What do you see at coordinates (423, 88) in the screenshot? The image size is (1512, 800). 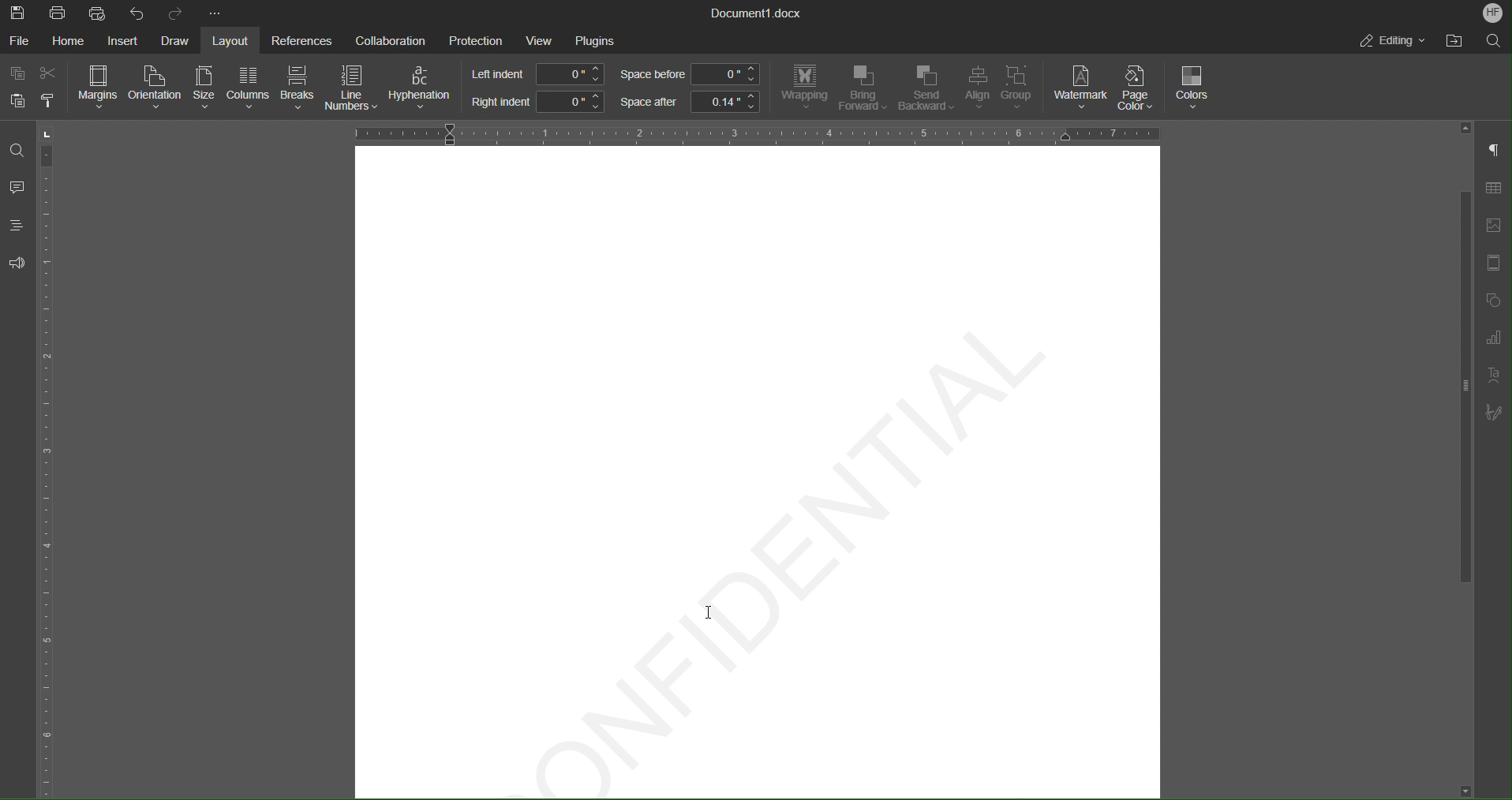 I see `Hyphenation` at bounding box center [423, 88].